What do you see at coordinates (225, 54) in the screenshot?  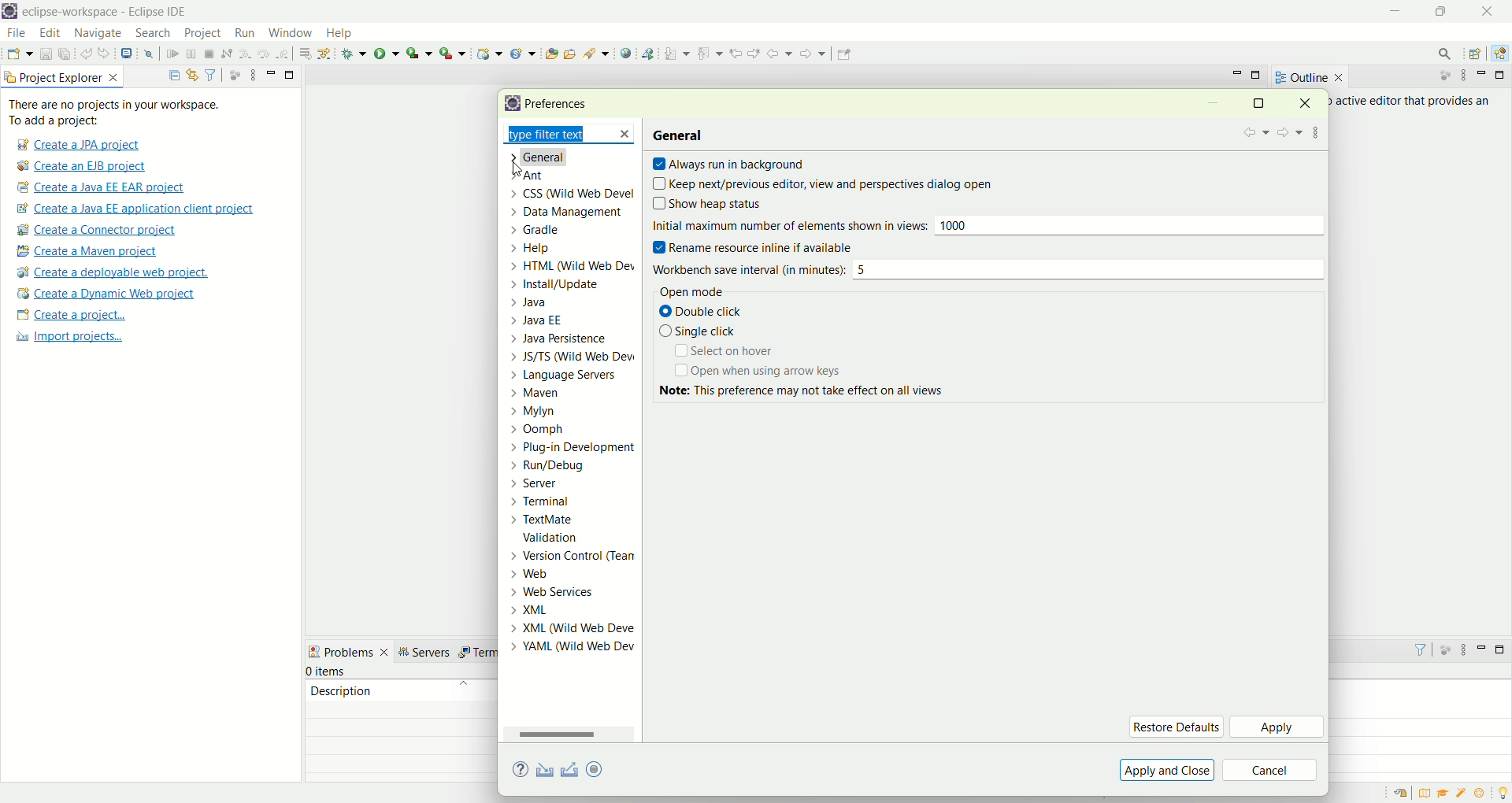 I see `disconnect` at bounding box center [225, 54].